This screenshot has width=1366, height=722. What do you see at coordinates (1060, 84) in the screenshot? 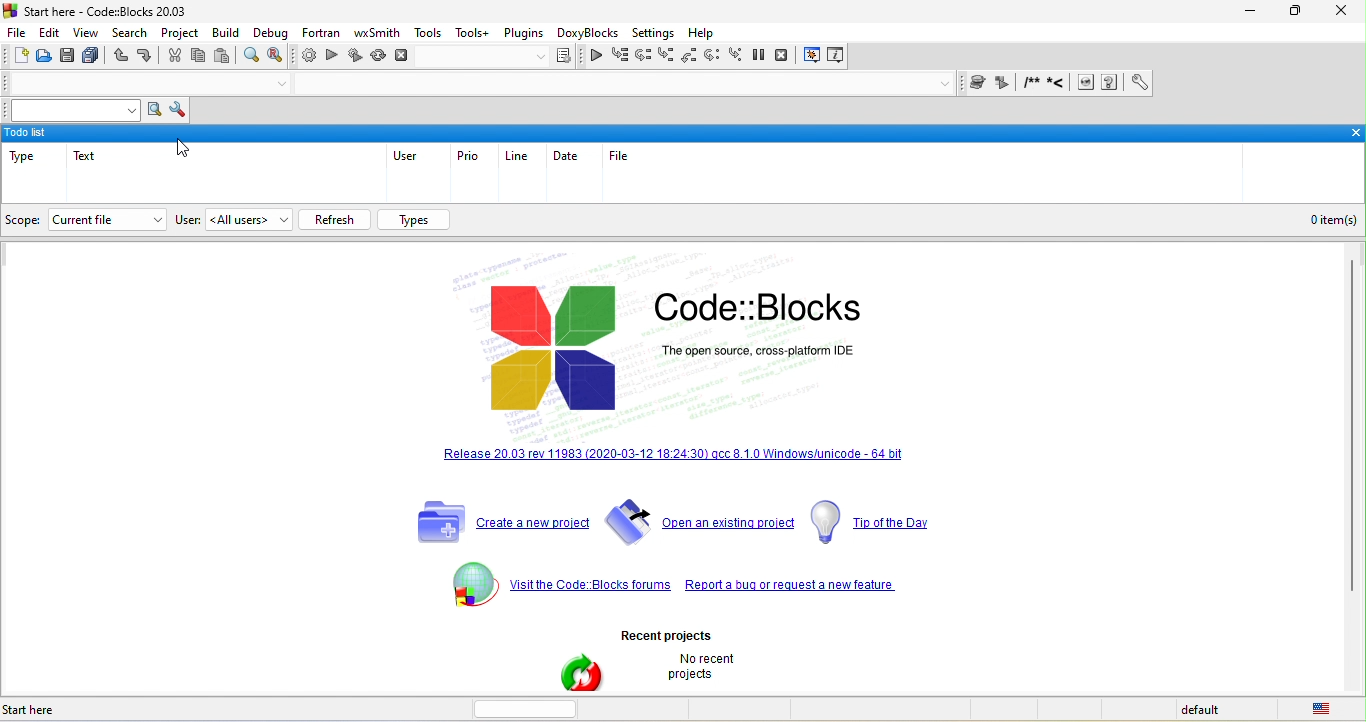
I see `line comment` at bounding box center [1060, 84].